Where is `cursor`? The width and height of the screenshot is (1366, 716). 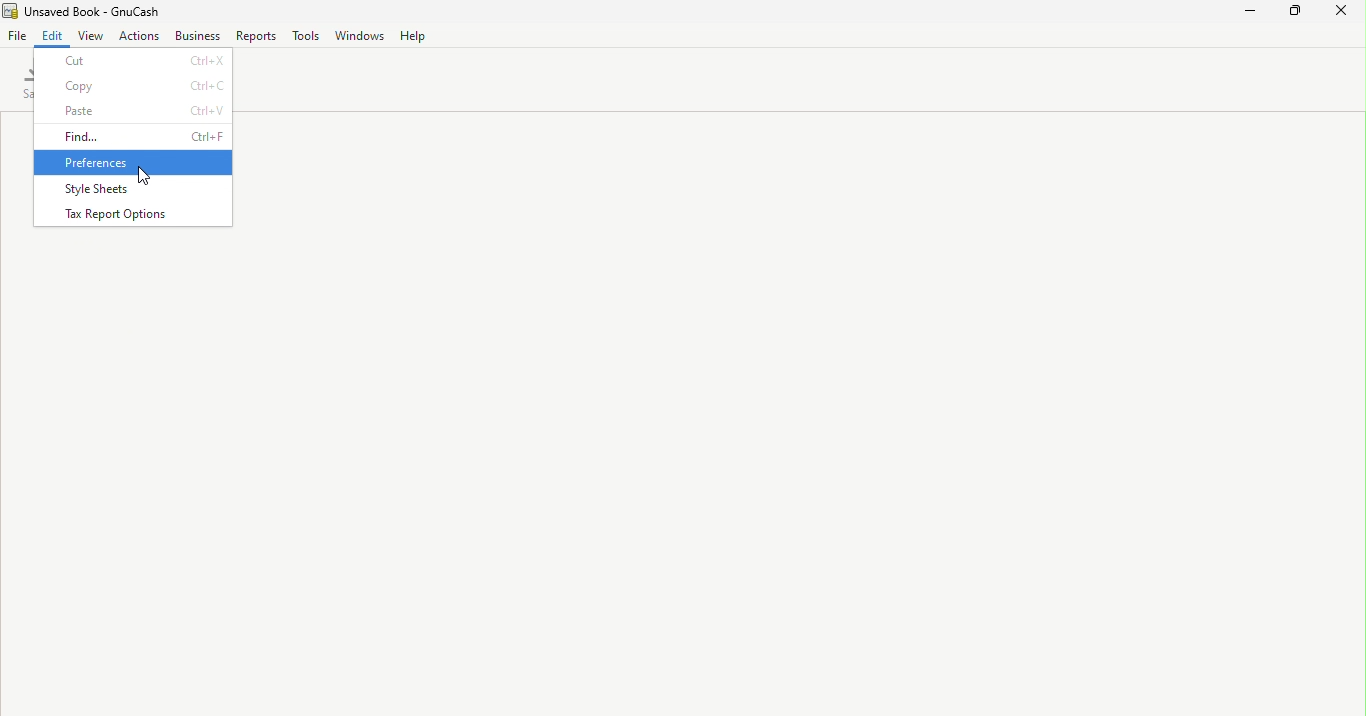 cursor is located at coordinates (148, 177).